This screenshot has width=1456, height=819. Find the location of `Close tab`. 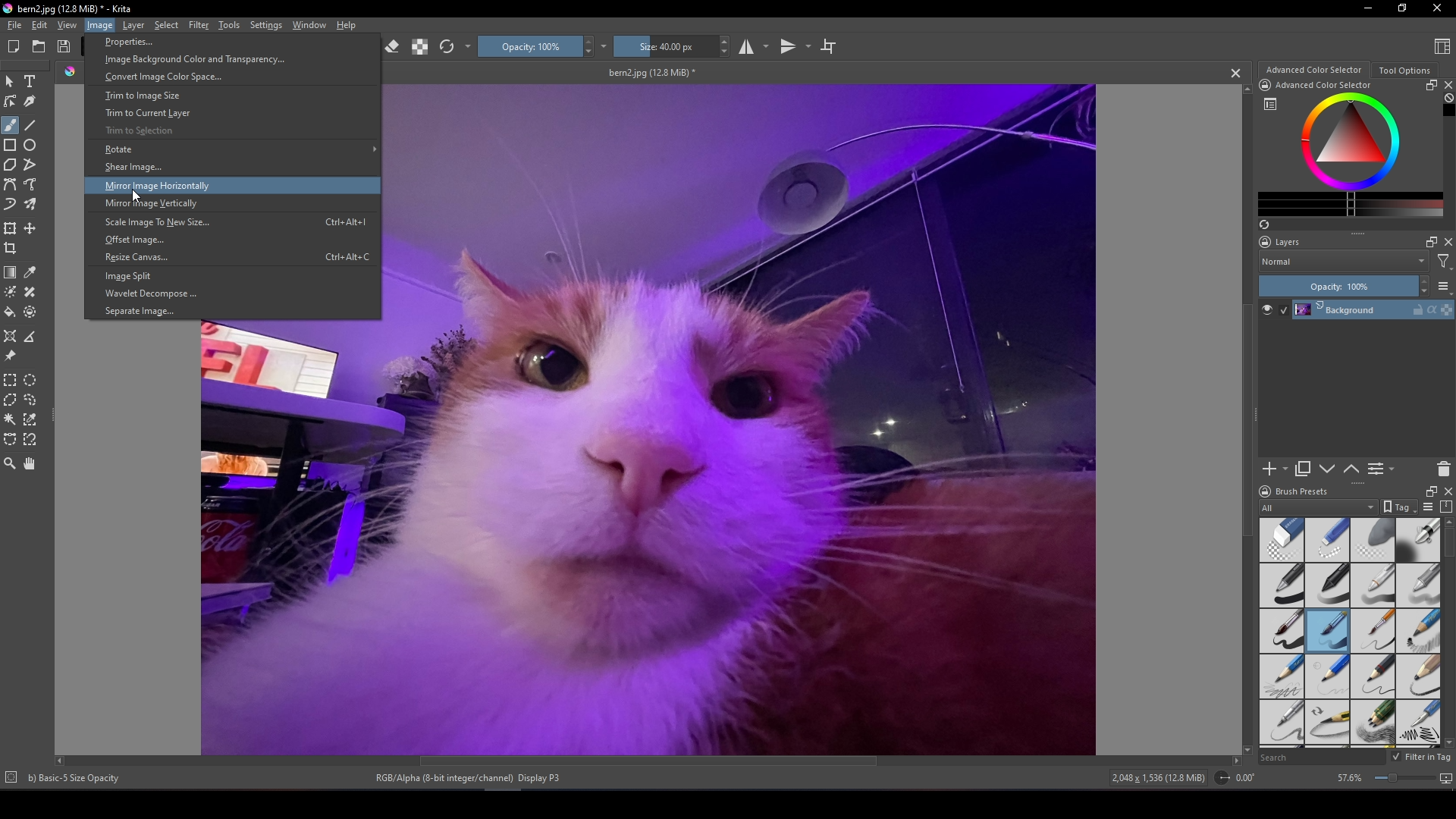

Close tab is located at coordinates (1235, 73).